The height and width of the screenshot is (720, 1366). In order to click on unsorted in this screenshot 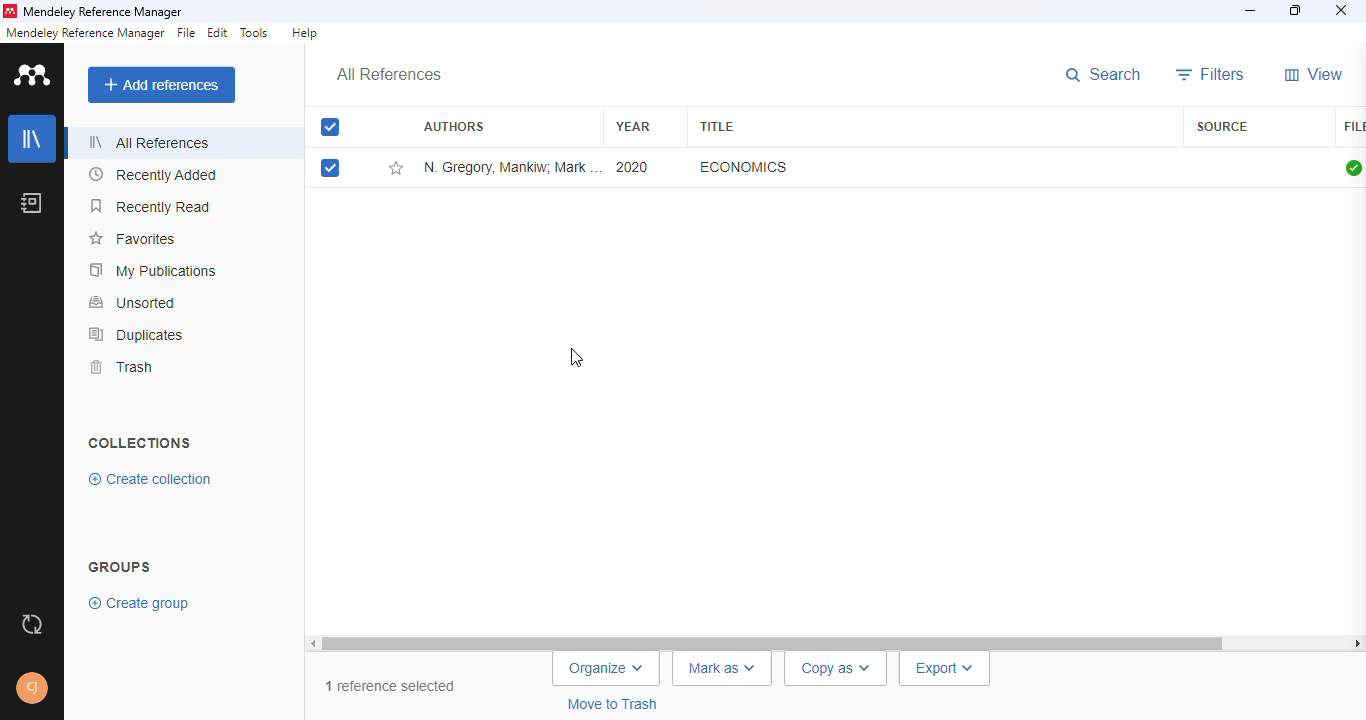, I will do `click(134, 302)`.